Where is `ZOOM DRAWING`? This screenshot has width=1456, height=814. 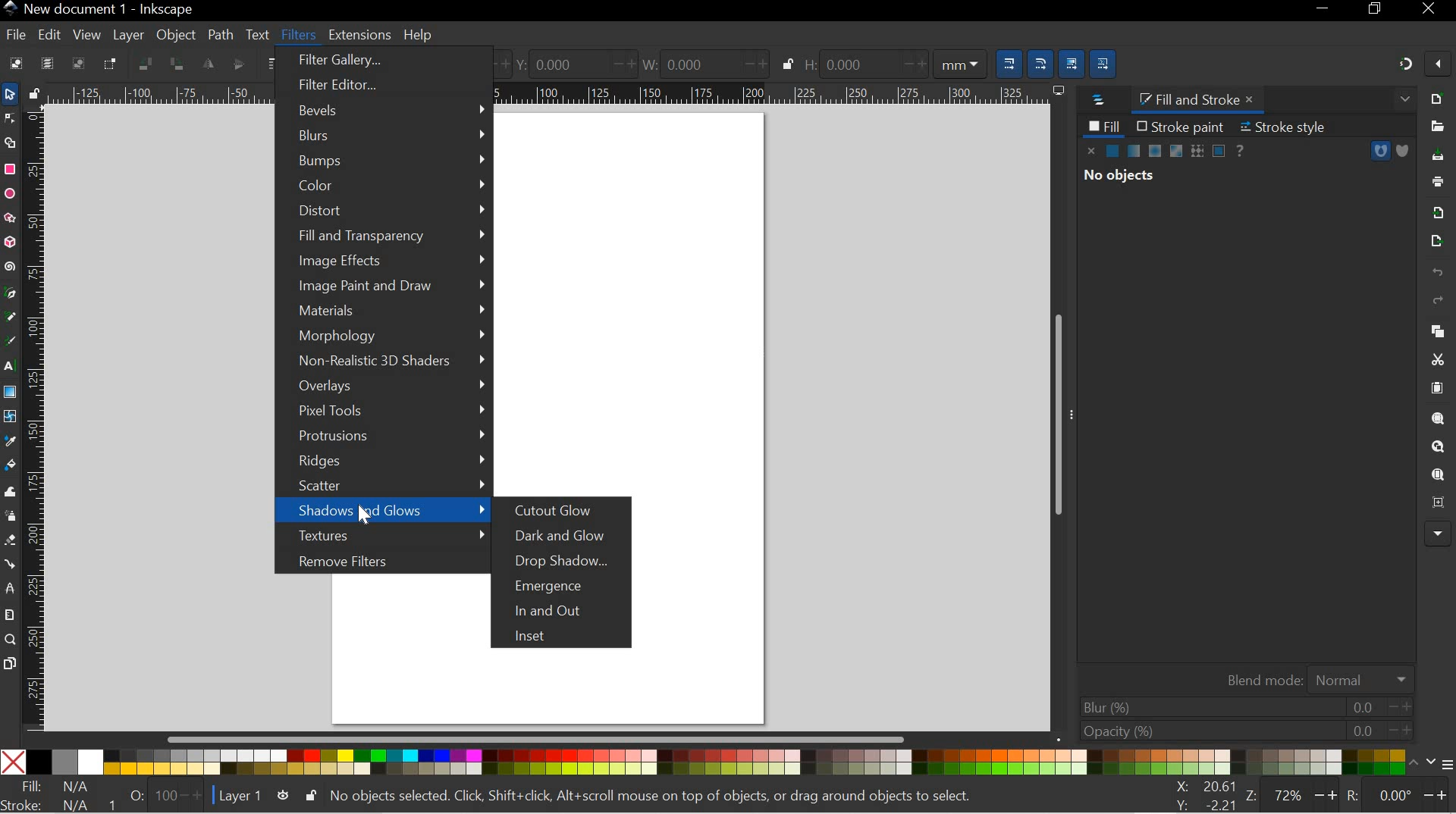
ZOOM DRAWING is located at coordinates (1437, 447).